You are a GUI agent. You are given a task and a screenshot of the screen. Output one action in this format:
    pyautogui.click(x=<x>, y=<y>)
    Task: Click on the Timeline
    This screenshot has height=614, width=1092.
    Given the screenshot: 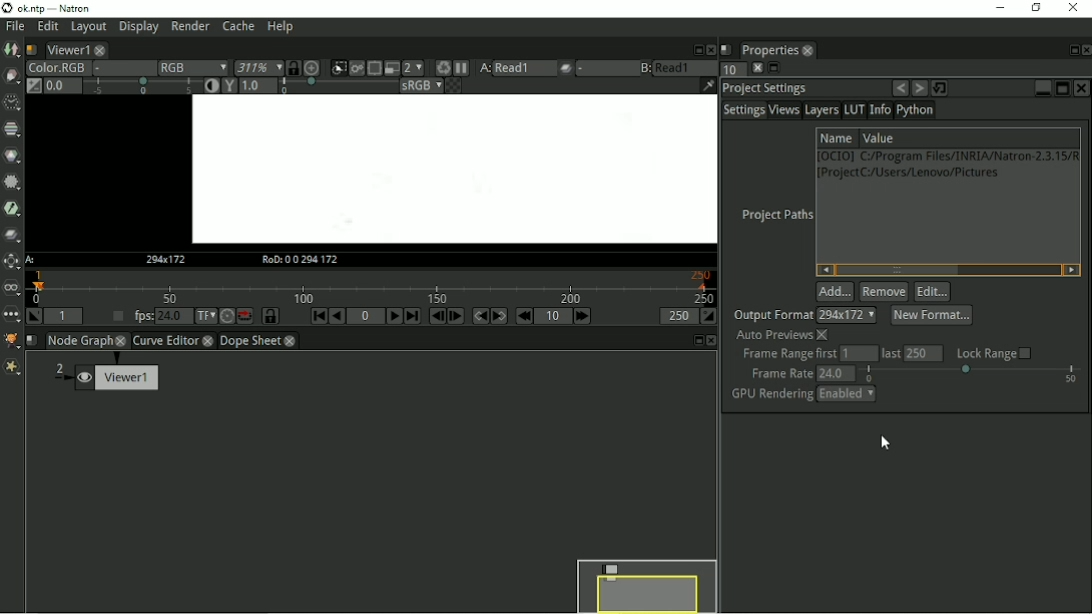 What is the action you would take?
    pyautogui.click(x=373, y=287)
    